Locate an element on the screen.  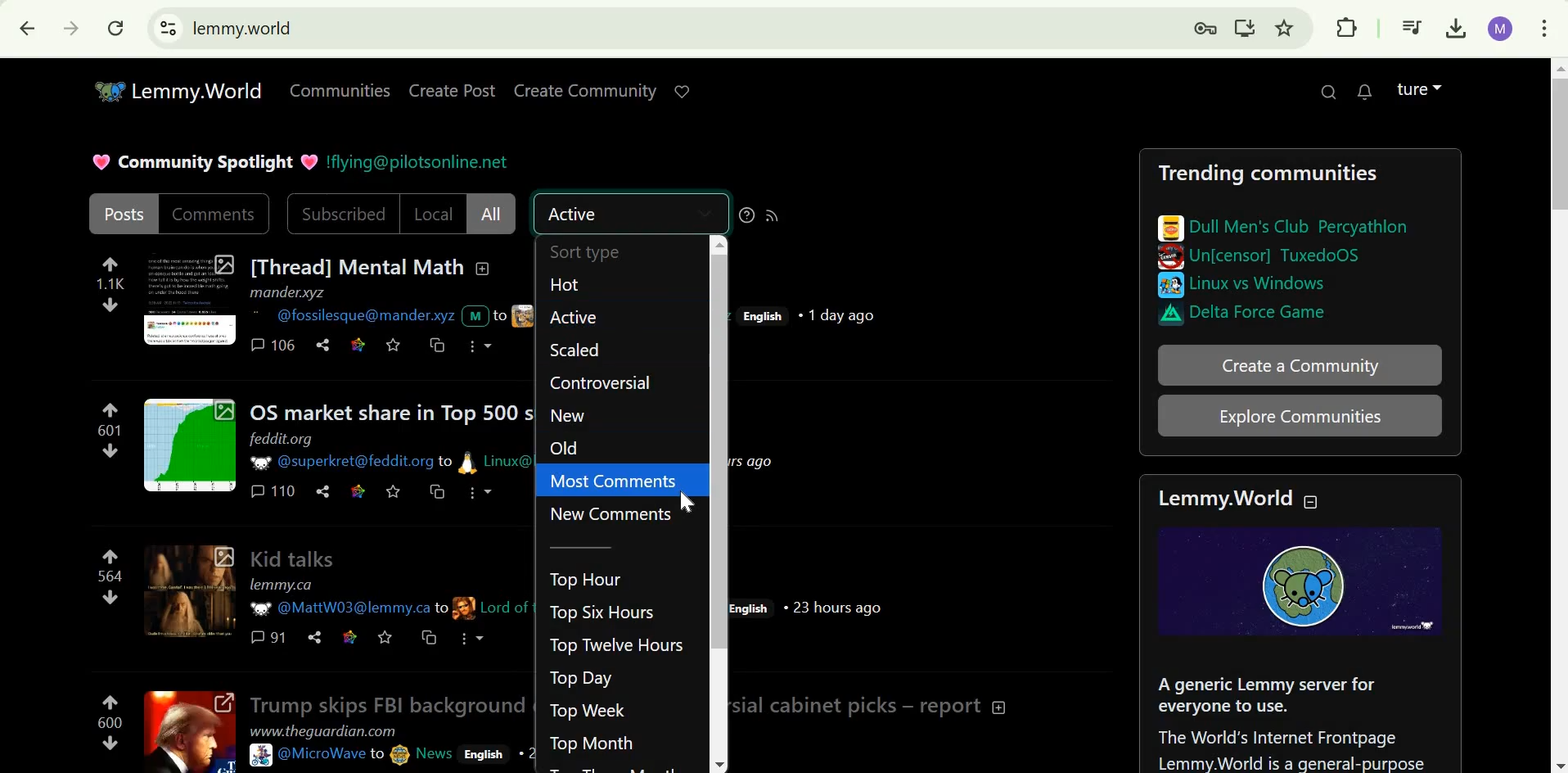
Lemmy.World is located at coordinates (1222, 499).